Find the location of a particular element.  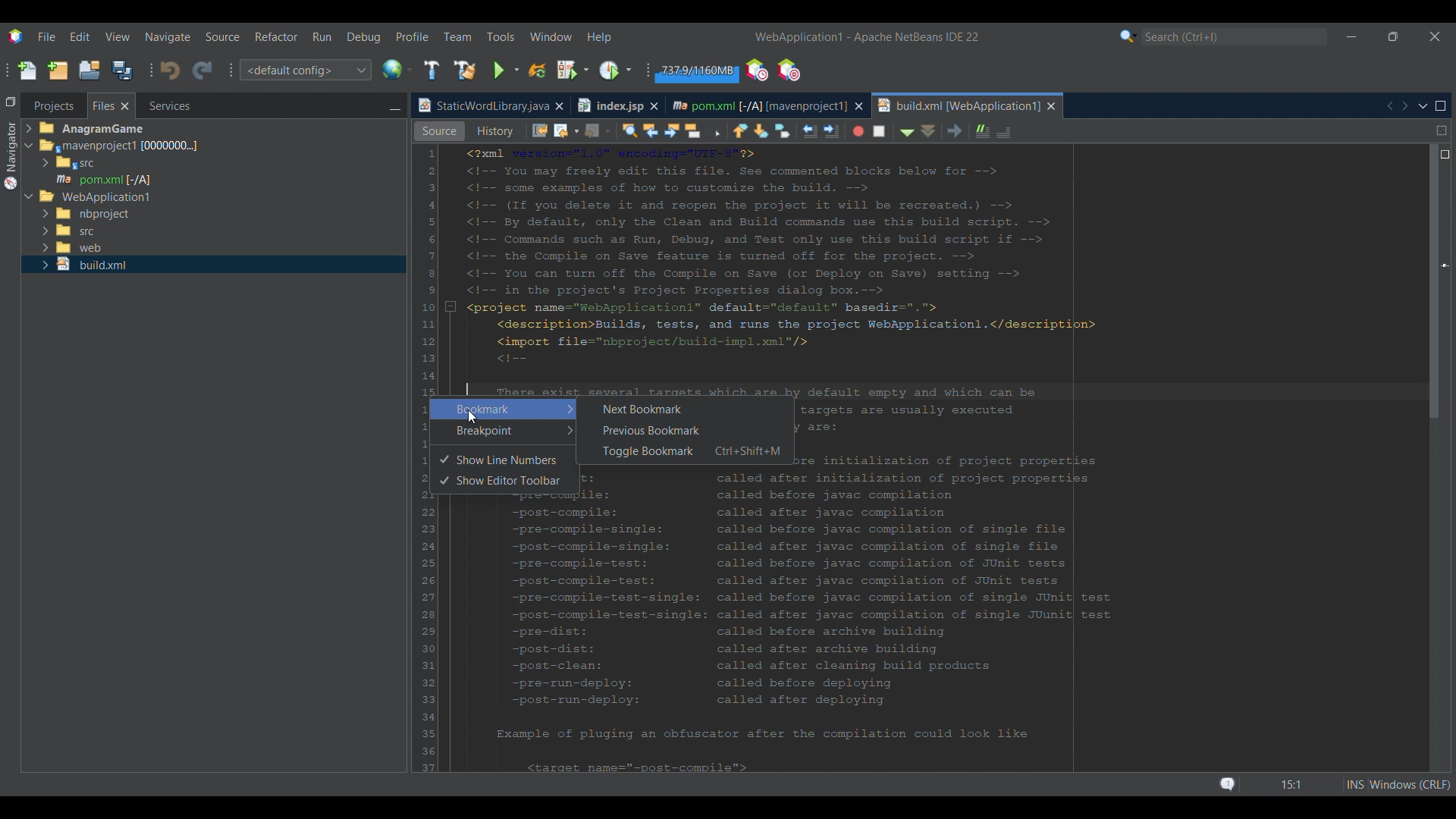

Navigate menu is located at coordinates (168, 37).